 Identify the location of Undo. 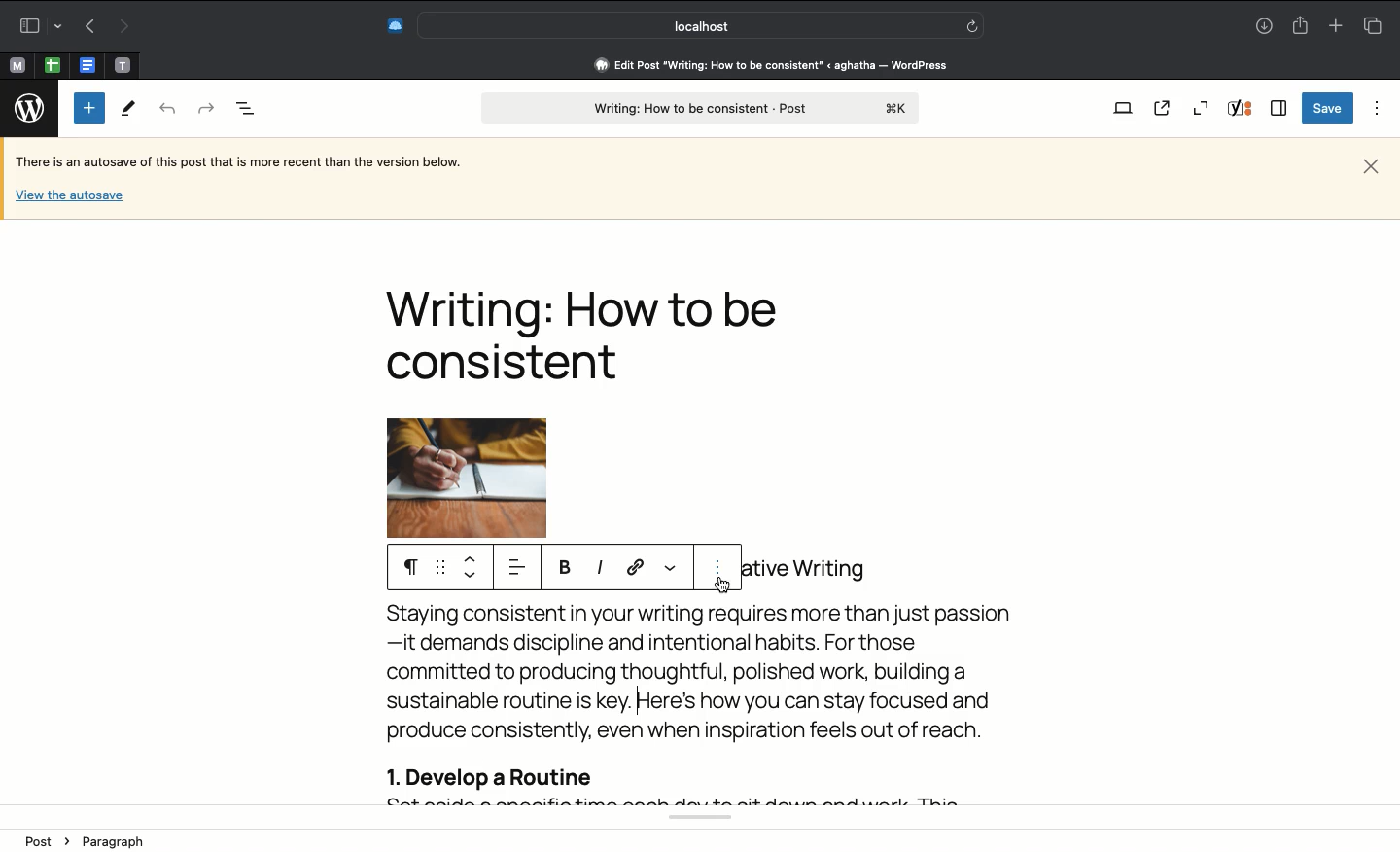
(168, 110).